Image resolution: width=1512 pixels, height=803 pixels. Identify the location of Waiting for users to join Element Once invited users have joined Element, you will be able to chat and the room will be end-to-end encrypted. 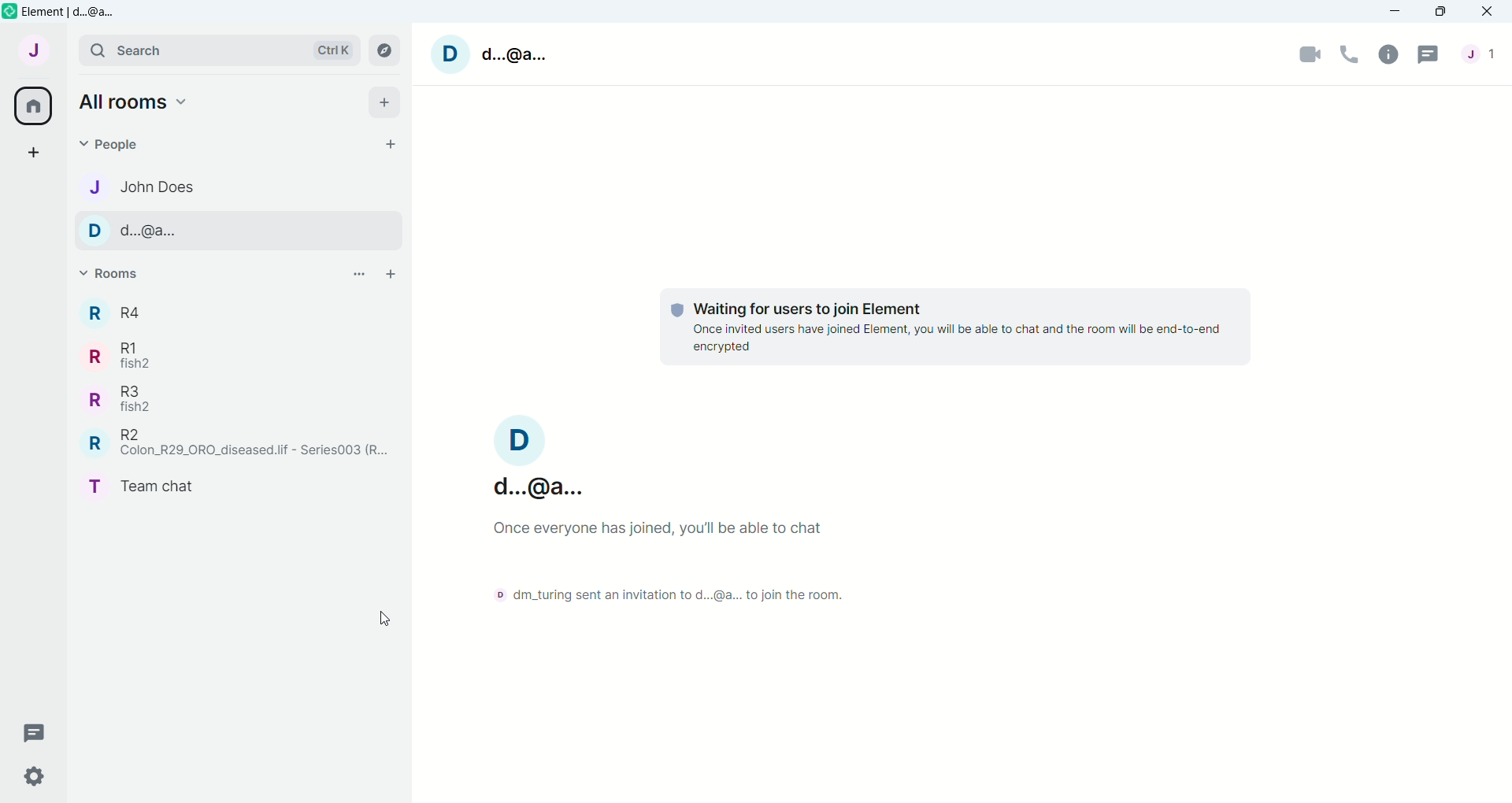
(954, 327).